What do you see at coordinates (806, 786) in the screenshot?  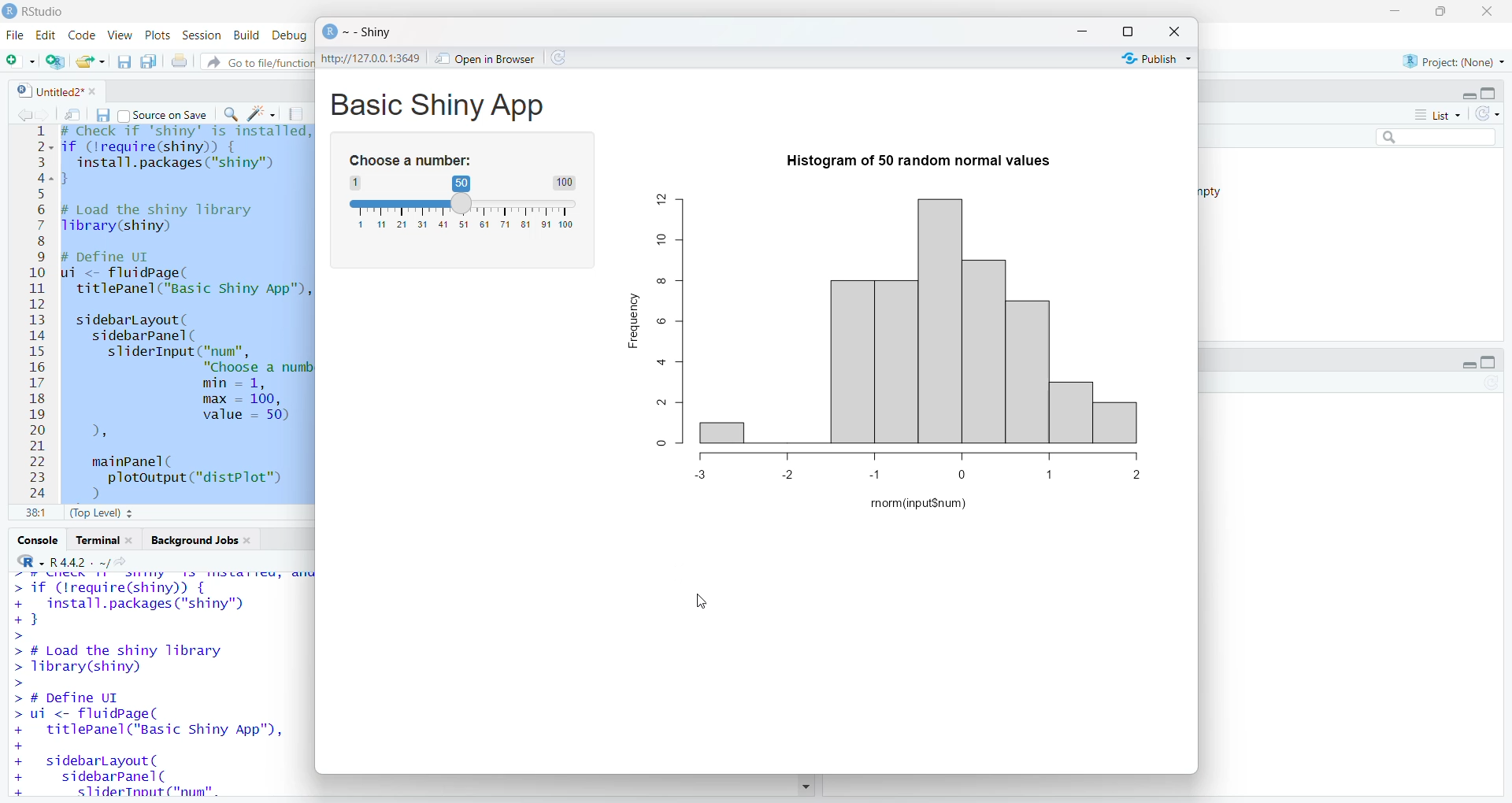 I see `scroll down` at bounding box center [806, 786].